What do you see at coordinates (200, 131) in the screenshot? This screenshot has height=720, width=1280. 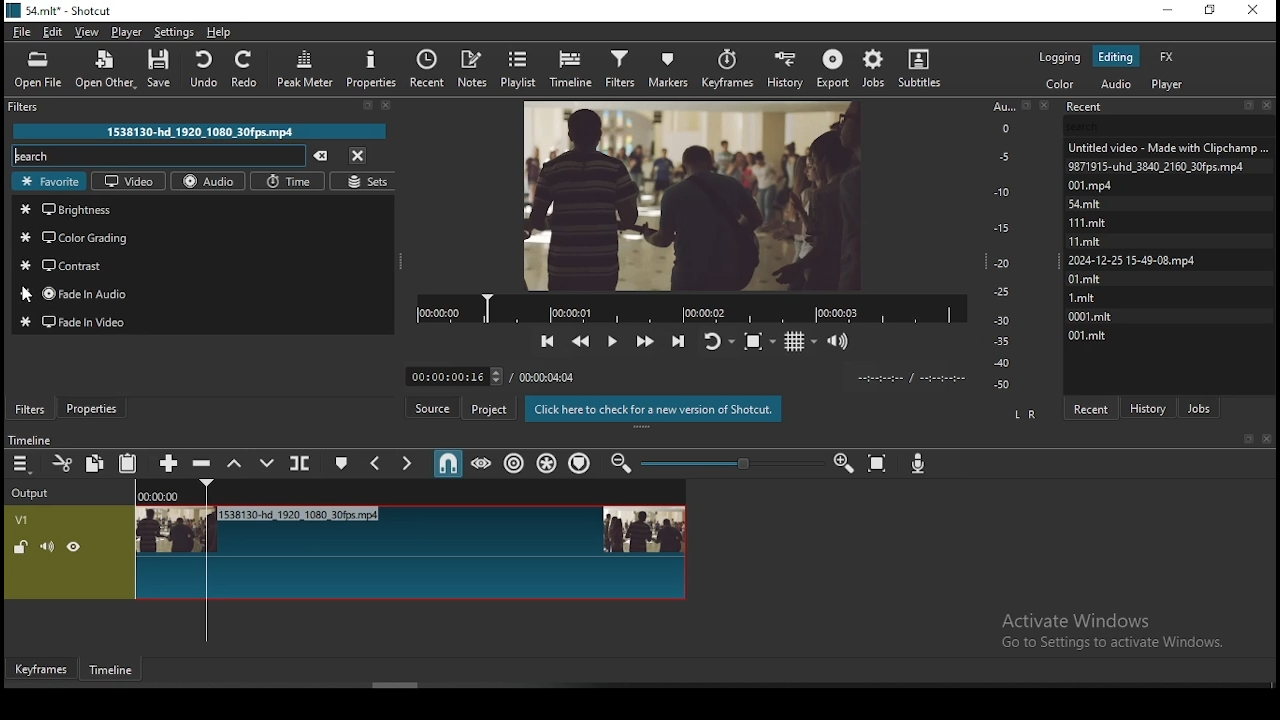 I see `1538130-hd 1920 1080 30fps.mpd` at bounding box center [200, 131].